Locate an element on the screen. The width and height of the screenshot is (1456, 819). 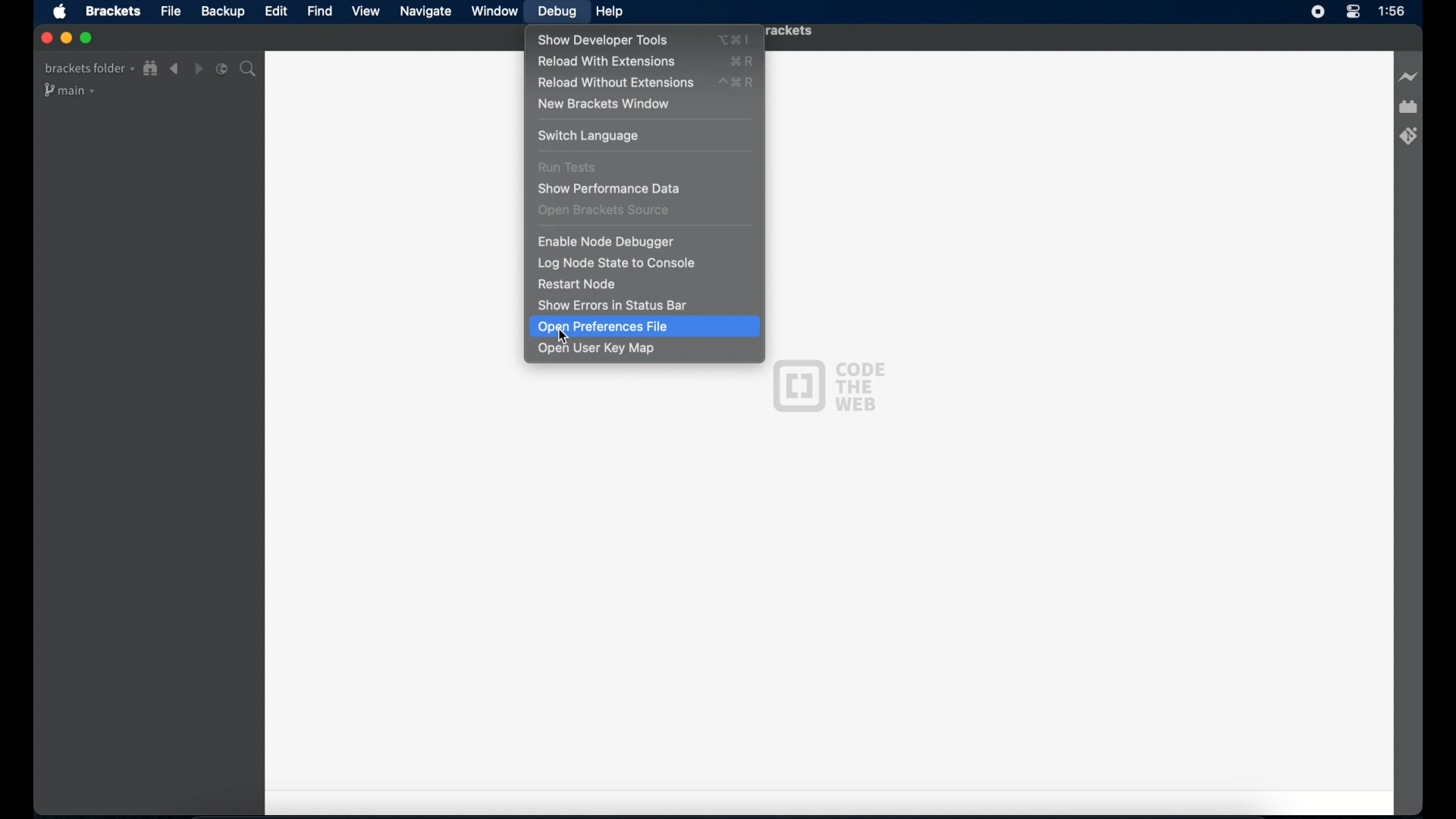
show file in tree is located at coordinates (151, 69).